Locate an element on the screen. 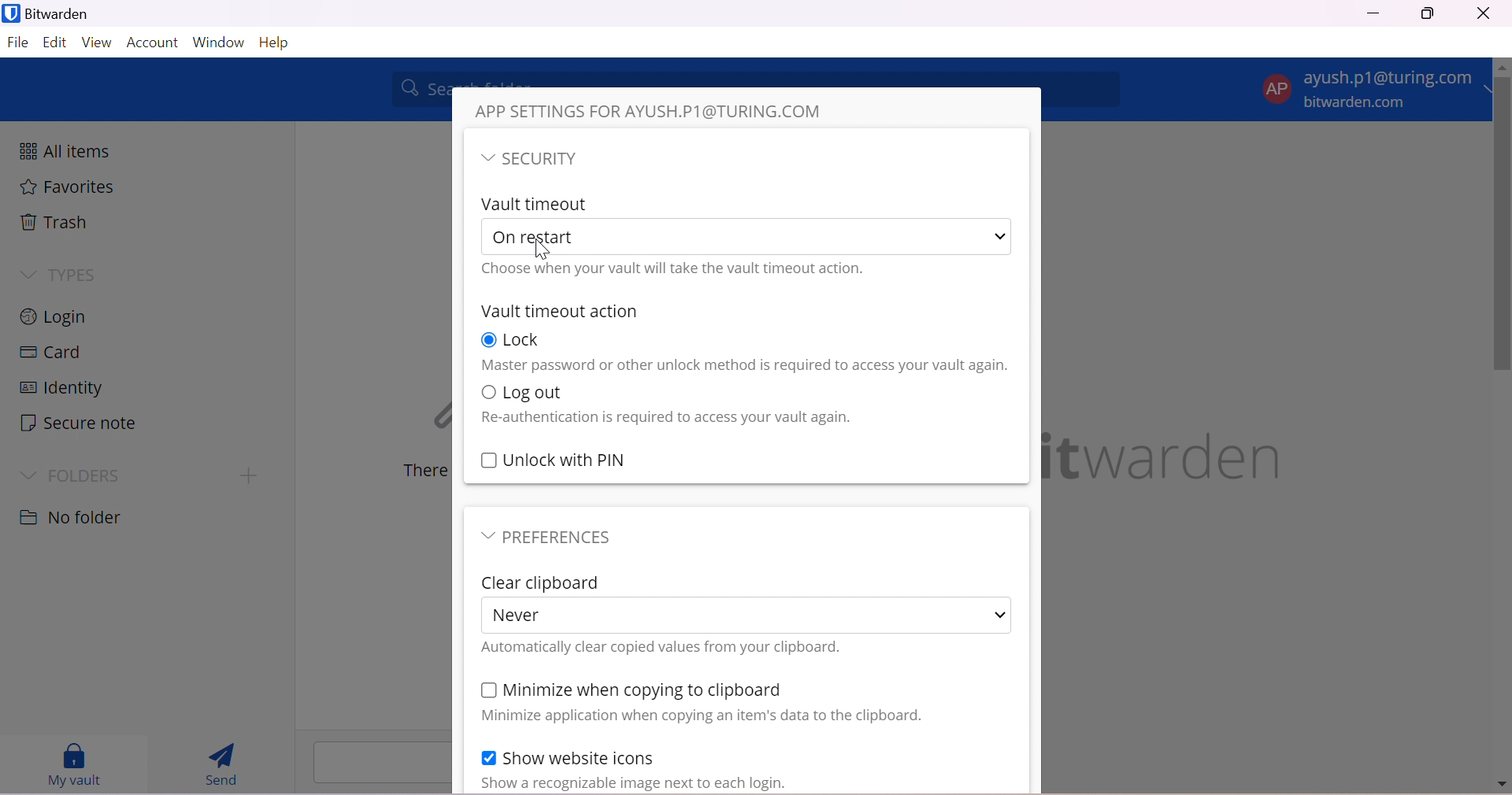 The width and height of the screenshot is (1512, 795). FOLDERS is located at coordinates (87, 475).